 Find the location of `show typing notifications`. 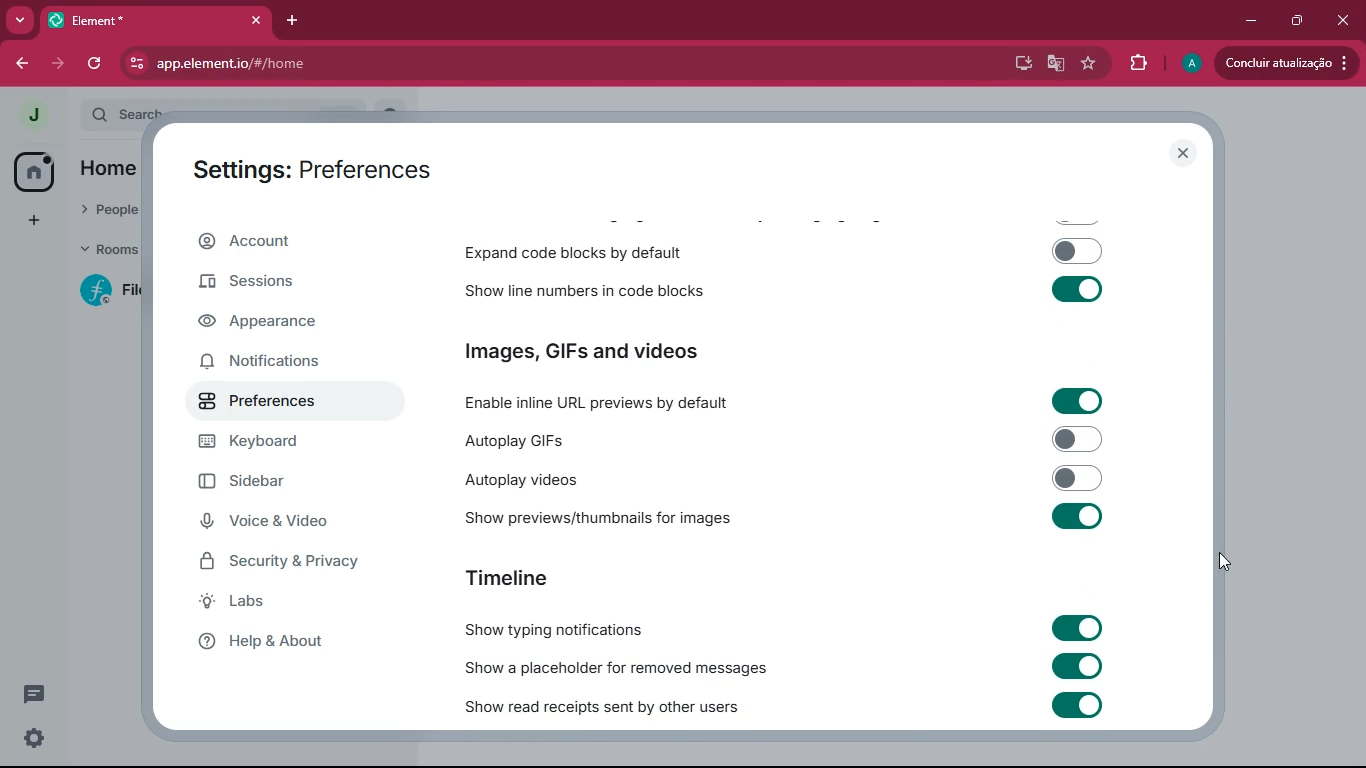

show typing notifications is located at coordinates (573, 629).